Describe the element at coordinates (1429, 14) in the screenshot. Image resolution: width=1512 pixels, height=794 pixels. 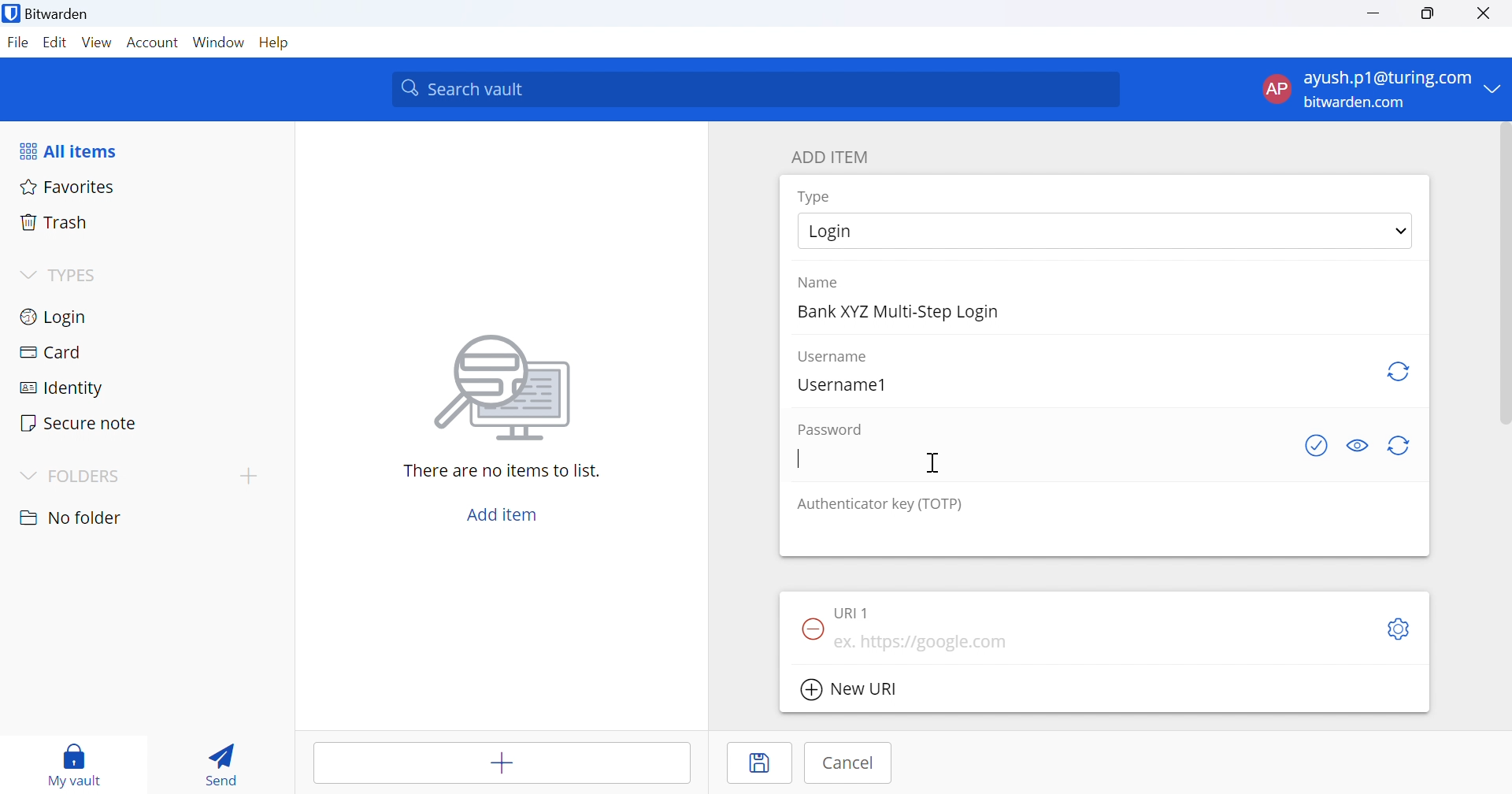
I see `Restore Down` at that location.